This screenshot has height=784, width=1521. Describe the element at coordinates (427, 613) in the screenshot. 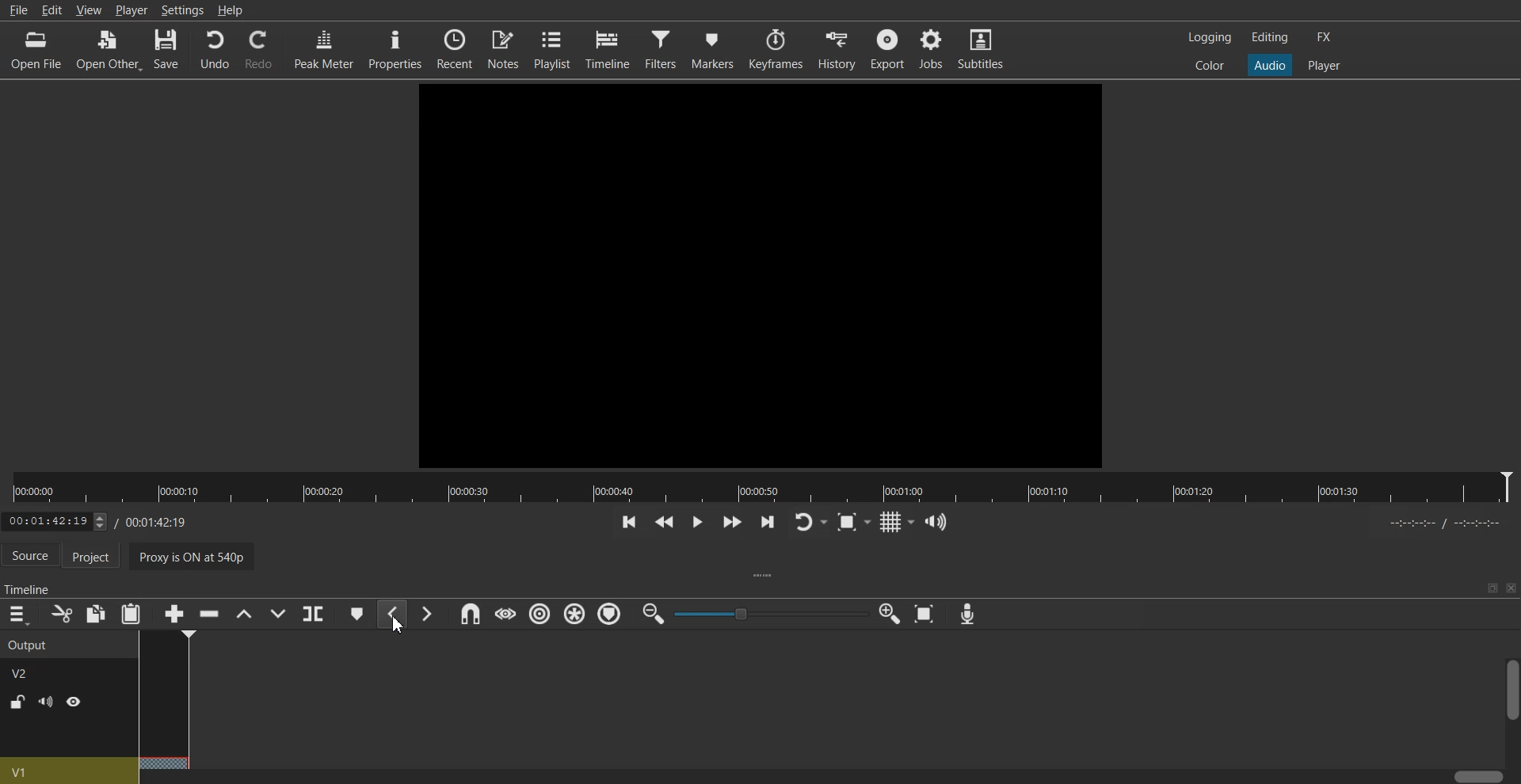

I see `Next marker` at that location.